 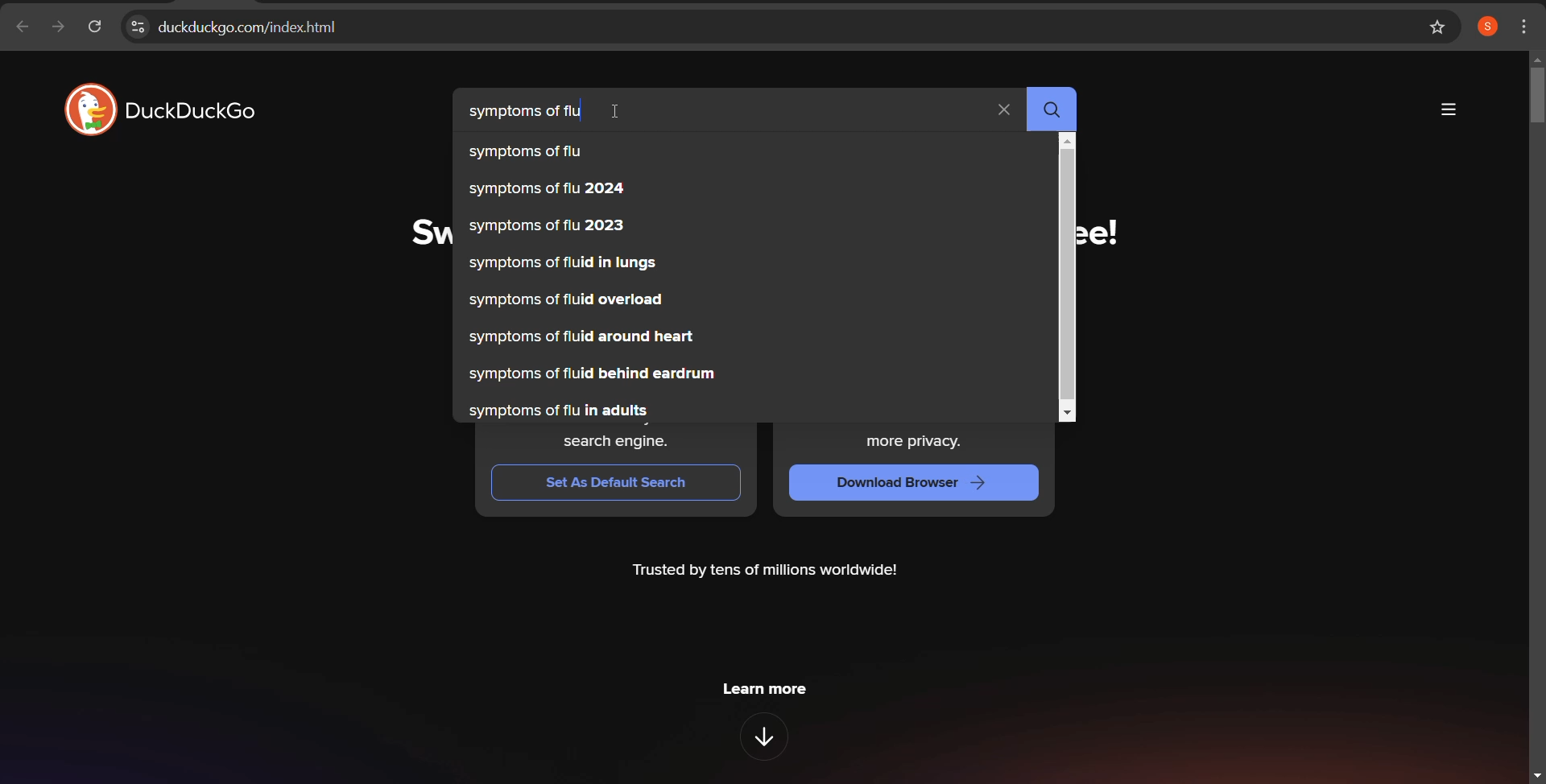 I want to click on click to go forward, so click(x=57, y=29).